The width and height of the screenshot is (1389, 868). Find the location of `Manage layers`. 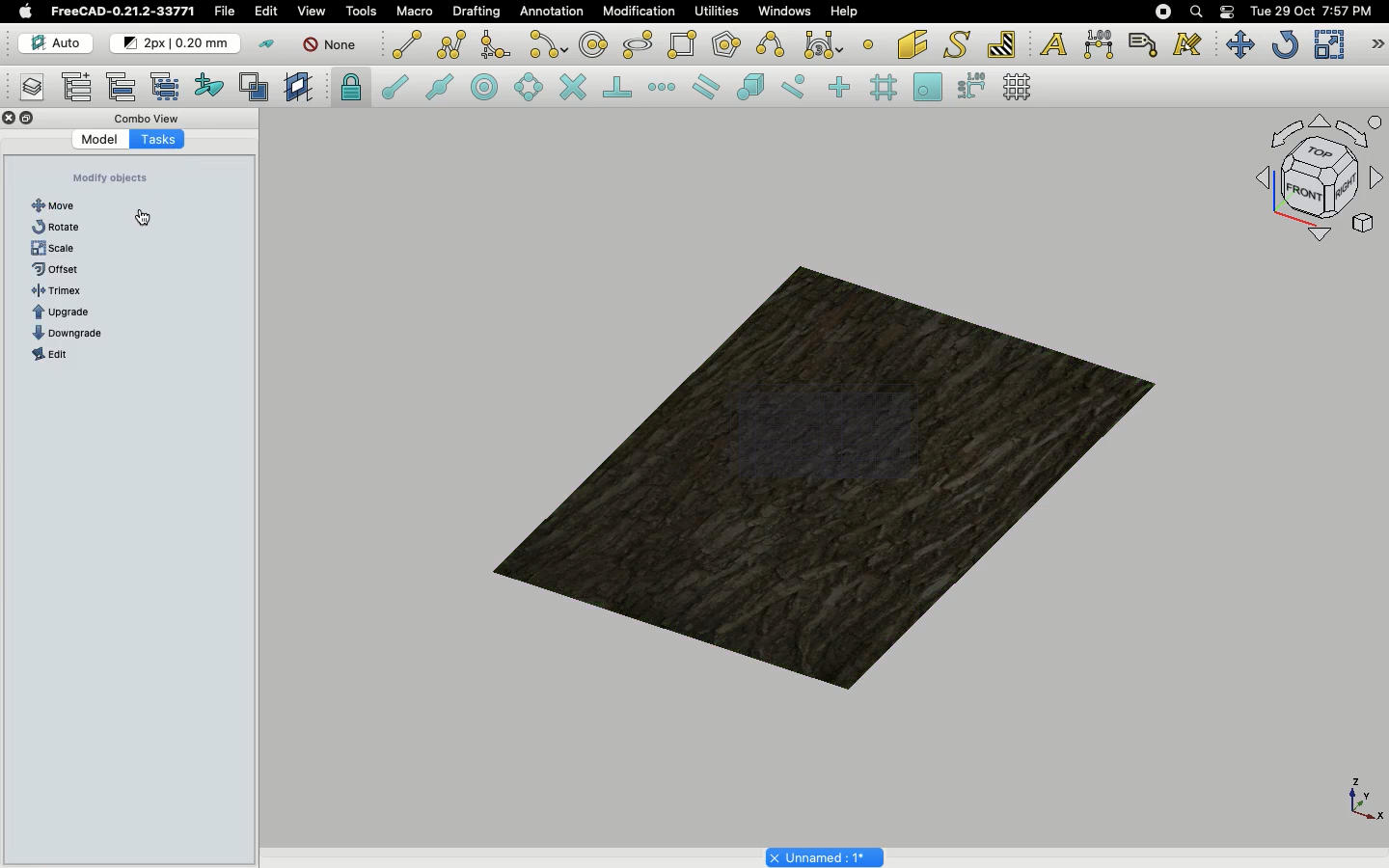

Manage layers is located at coordinates (25, 89).